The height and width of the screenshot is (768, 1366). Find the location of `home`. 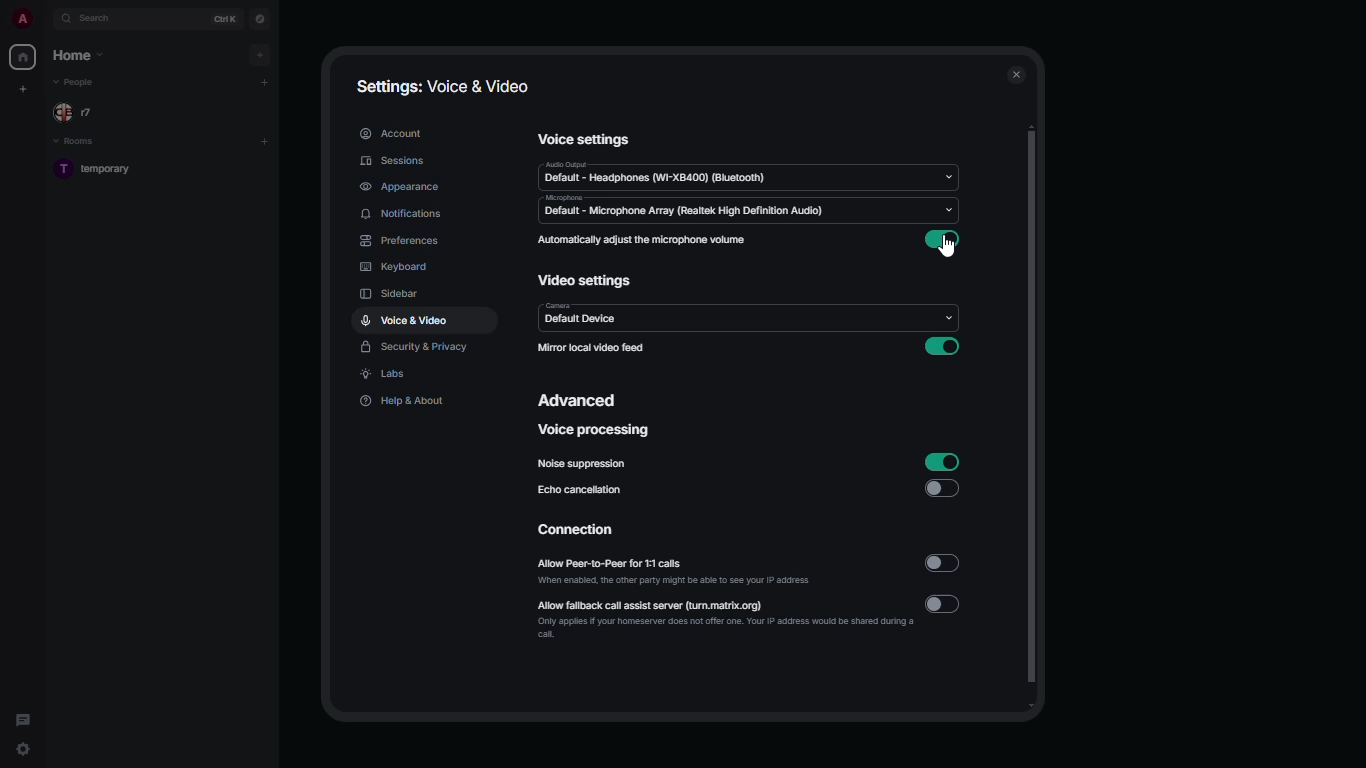

home is located at coordinates (24, 58).